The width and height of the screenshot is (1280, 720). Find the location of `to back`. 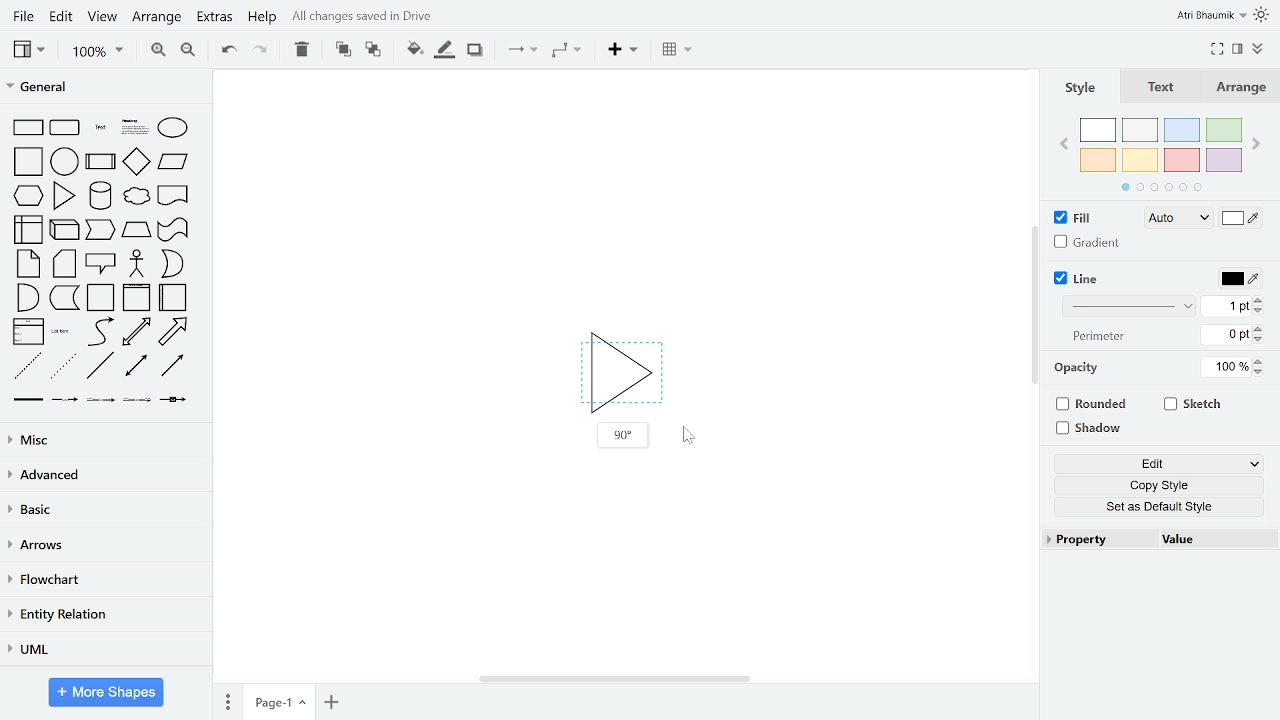

to back is located at coordinates (372, 49).